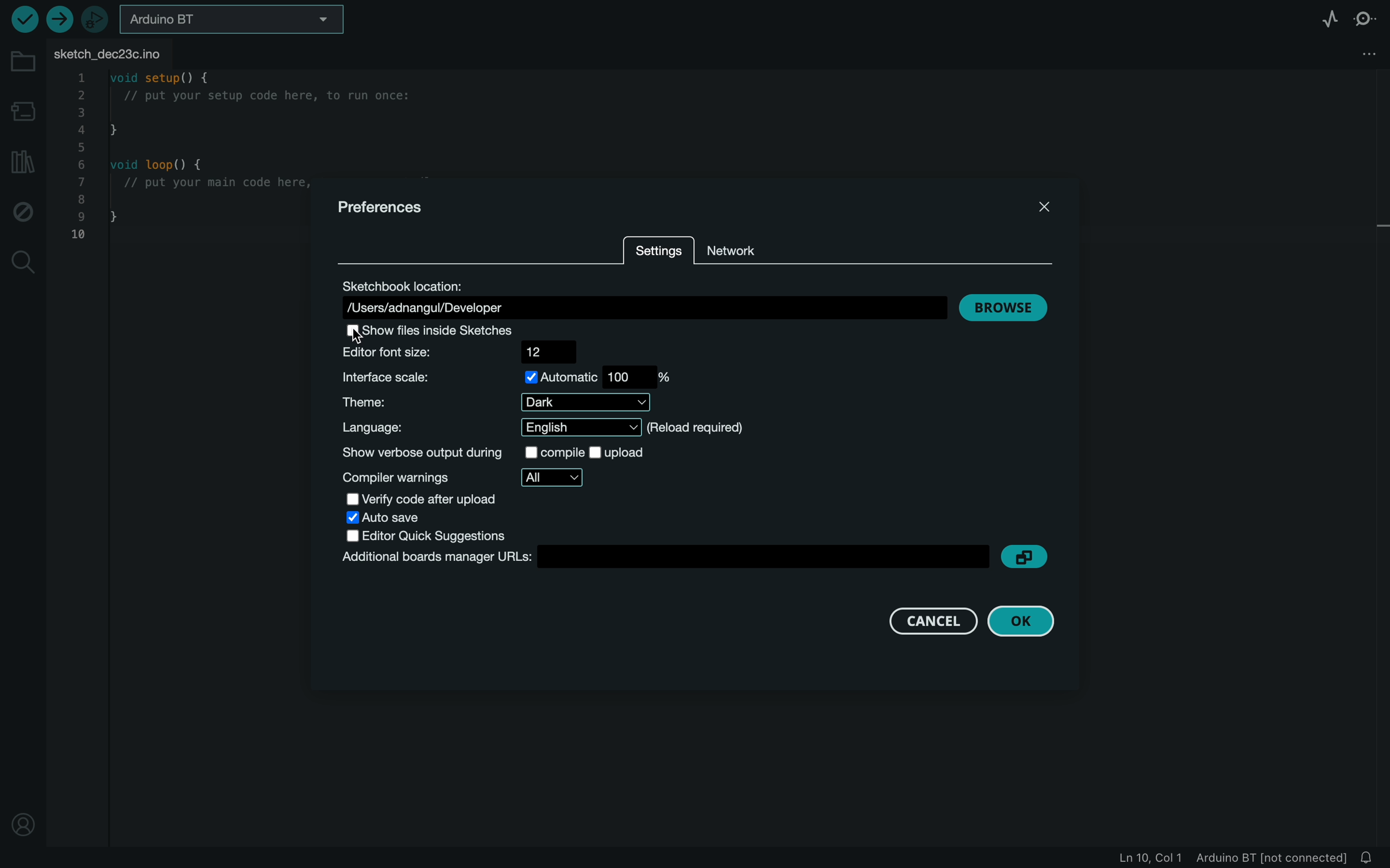 The height and width of the screenshot is (868, 1390). Describe the element at coordinates (22, 816) in the screenshot. I see `profile` at that location.